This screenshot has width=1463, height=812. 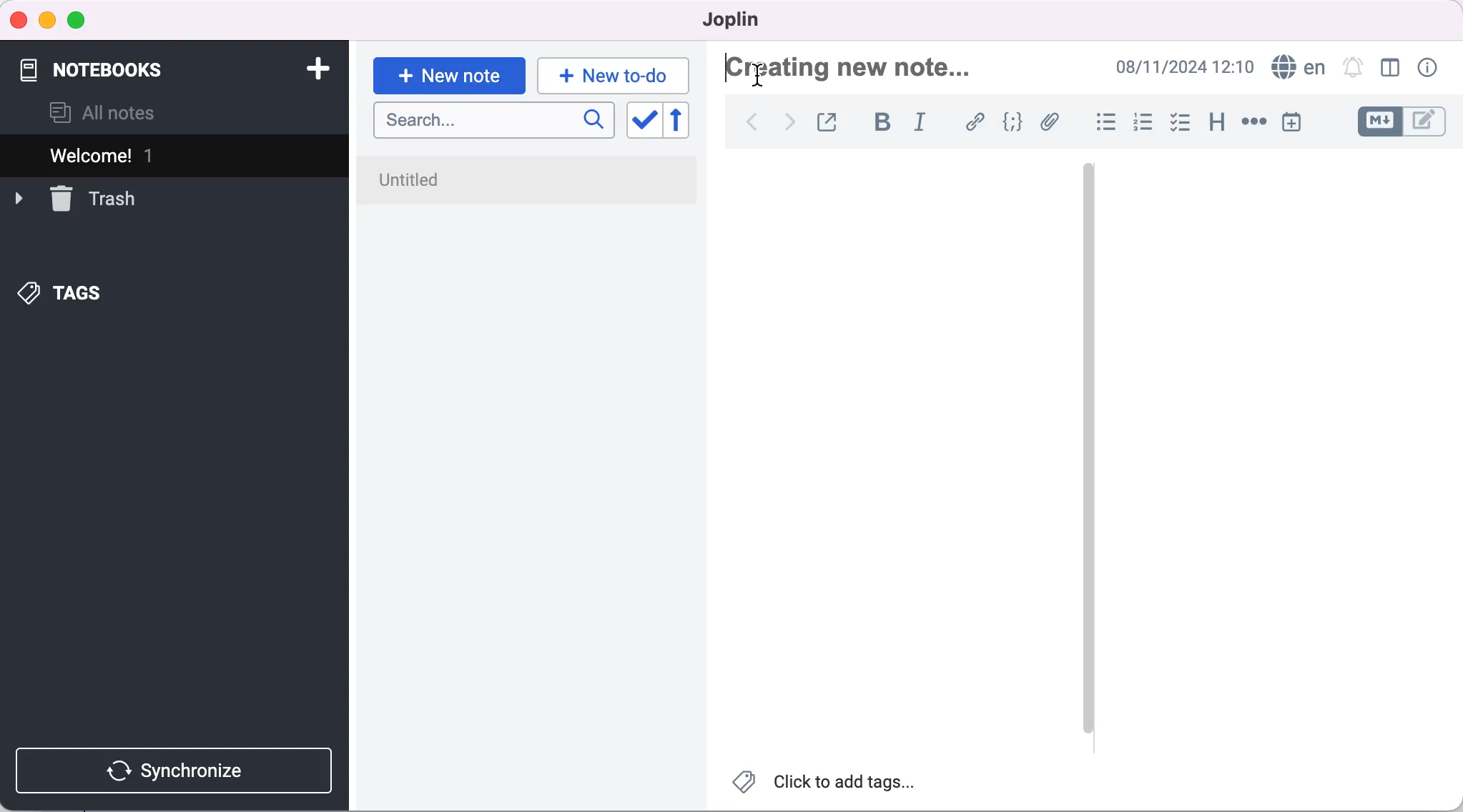 What do you see at coordinates (919, 124) in the screenshot?
I see `italic` at bounding box center [919, 124].